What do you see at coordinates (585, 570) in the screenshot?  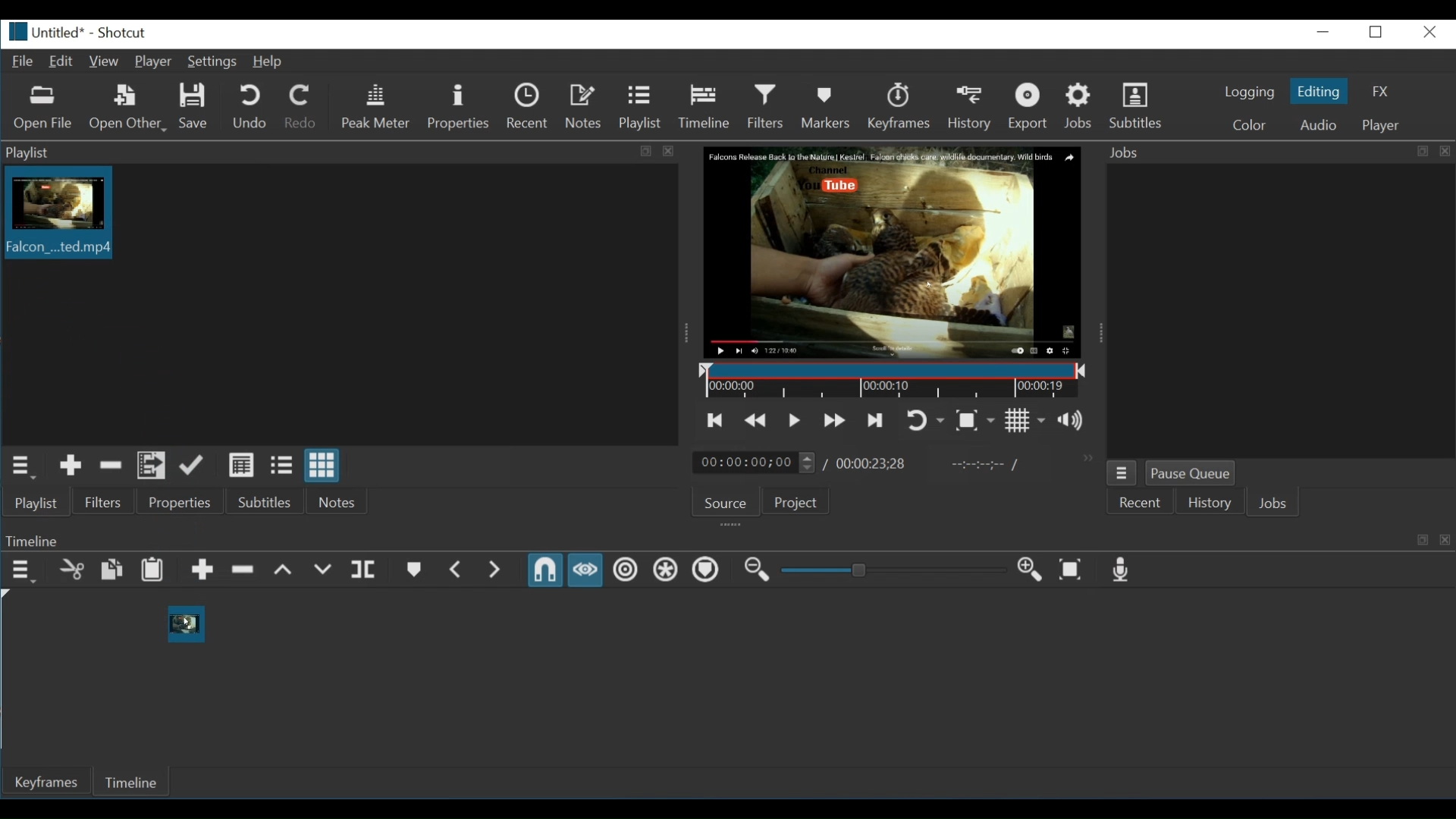 I see `Scrub while dragging` at bounding box center [585, 570].